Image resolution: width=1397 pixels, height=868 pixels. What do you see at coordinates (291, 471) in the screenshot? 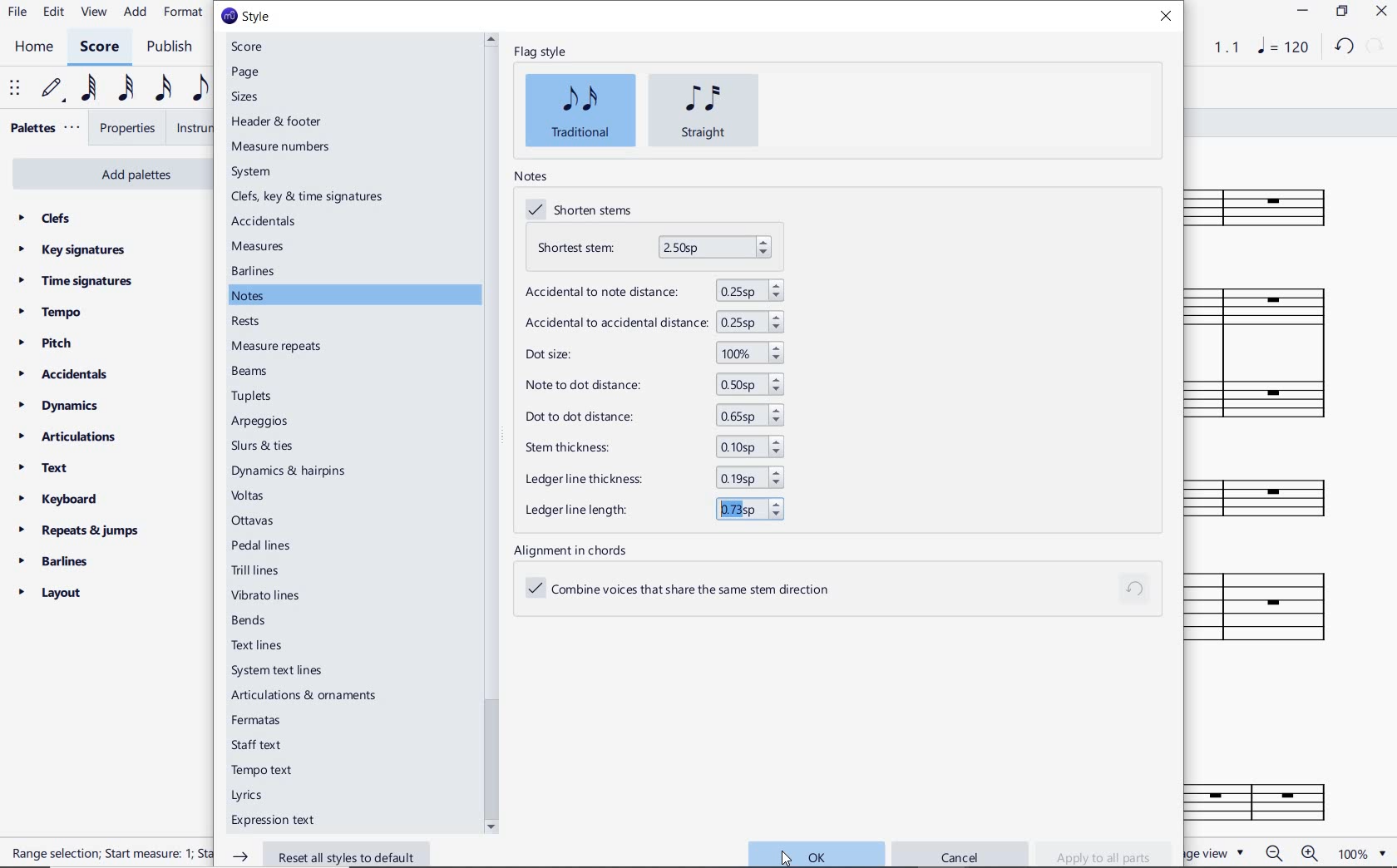
I see `dynamic & hairpins` at bounding box center [291, 471].